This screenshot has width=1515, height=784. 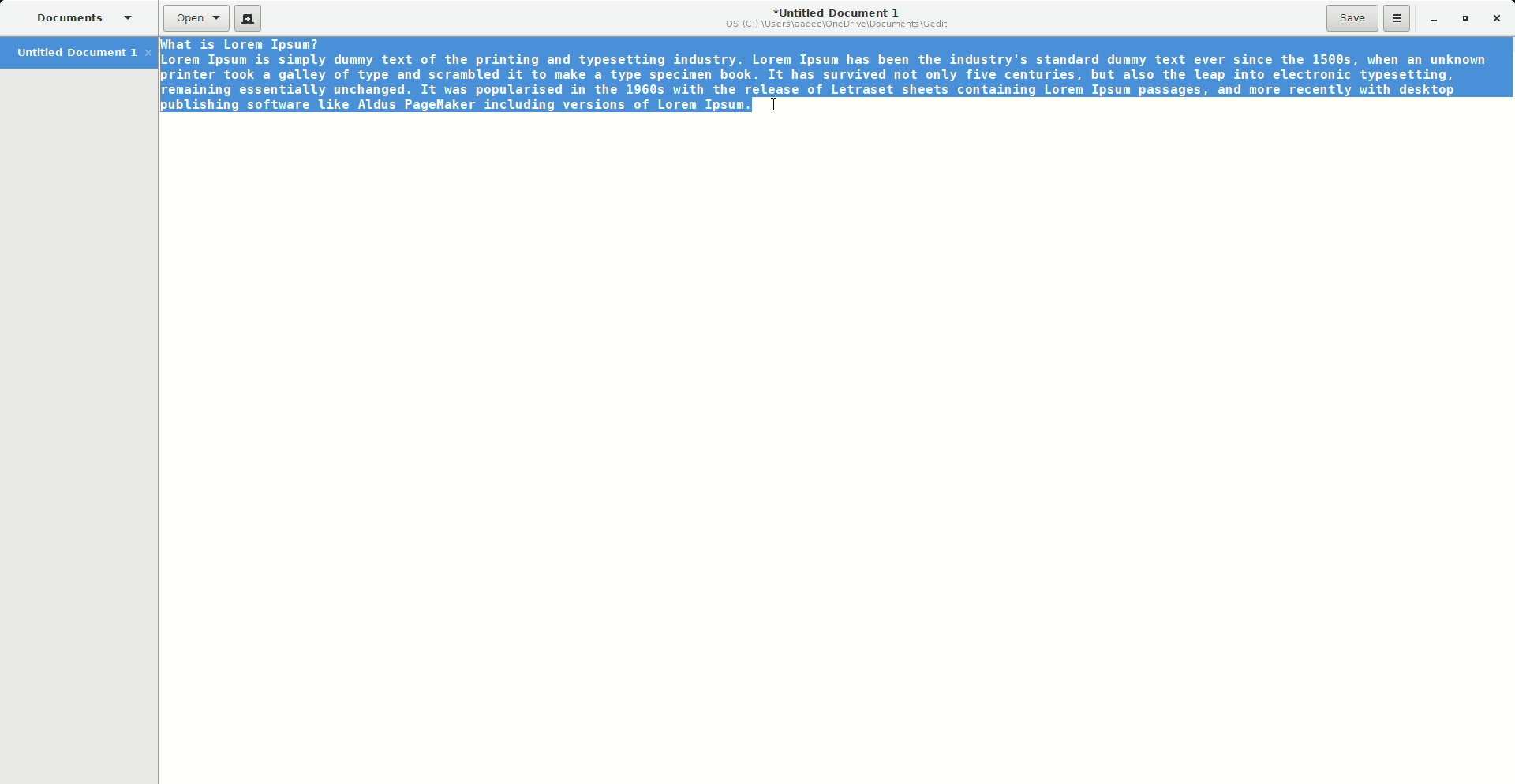 What do you see at coordinates (777, 102) in the screenshot?
I see `Cursor` at bounding box center [777, 102].